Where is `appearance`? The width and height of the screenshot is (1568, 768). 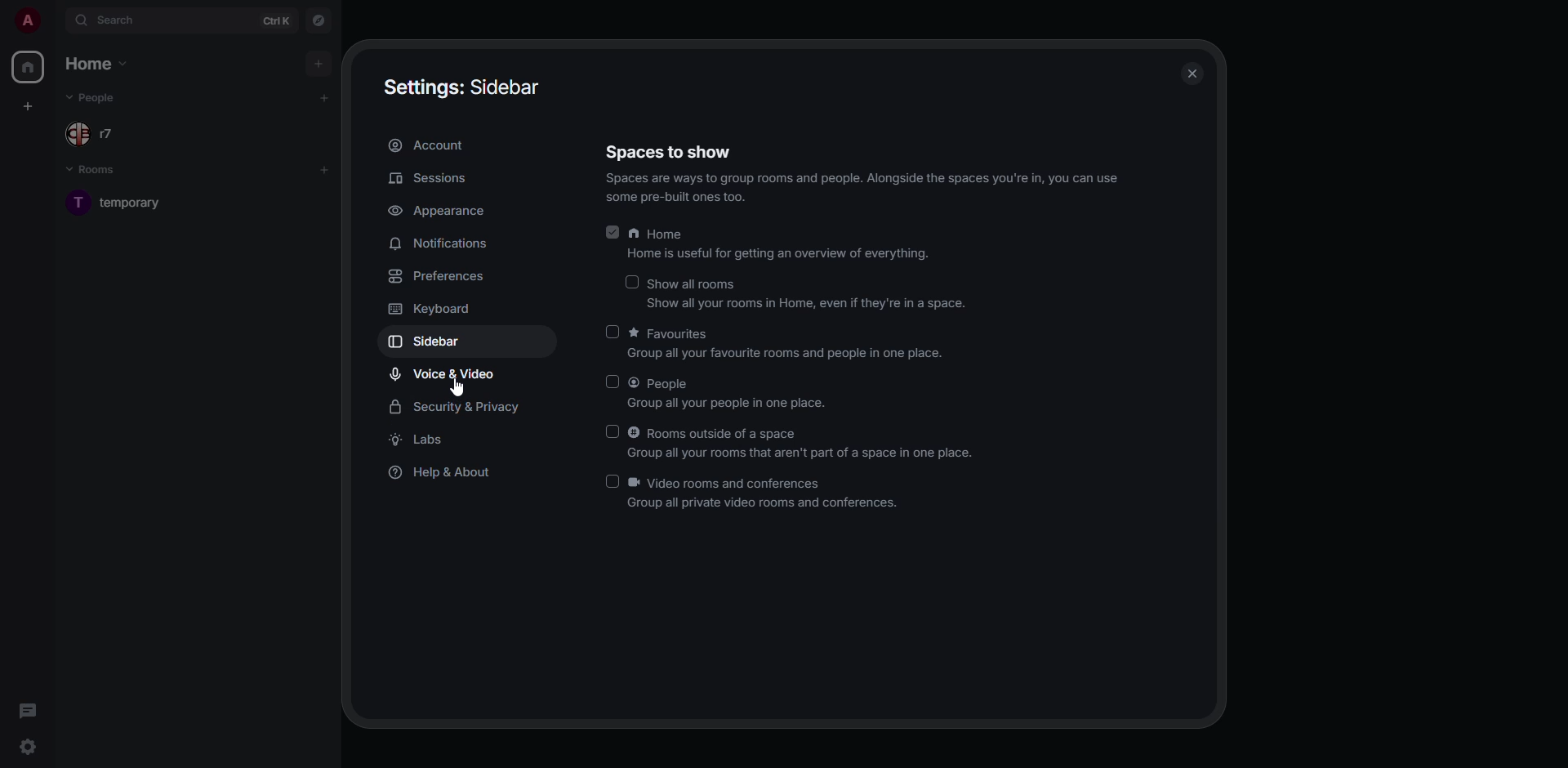 appearance is located at coordinates (443, 211).